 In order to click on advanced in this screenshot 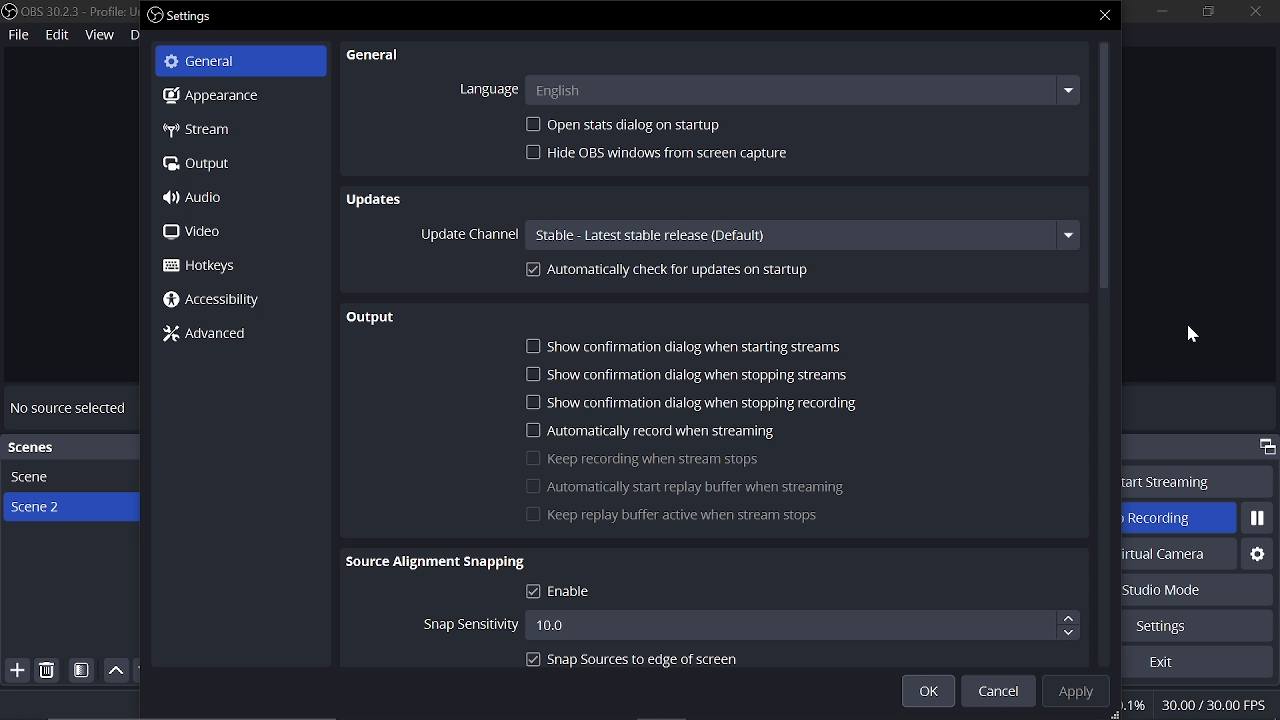, I will do `click(217, 334)`.